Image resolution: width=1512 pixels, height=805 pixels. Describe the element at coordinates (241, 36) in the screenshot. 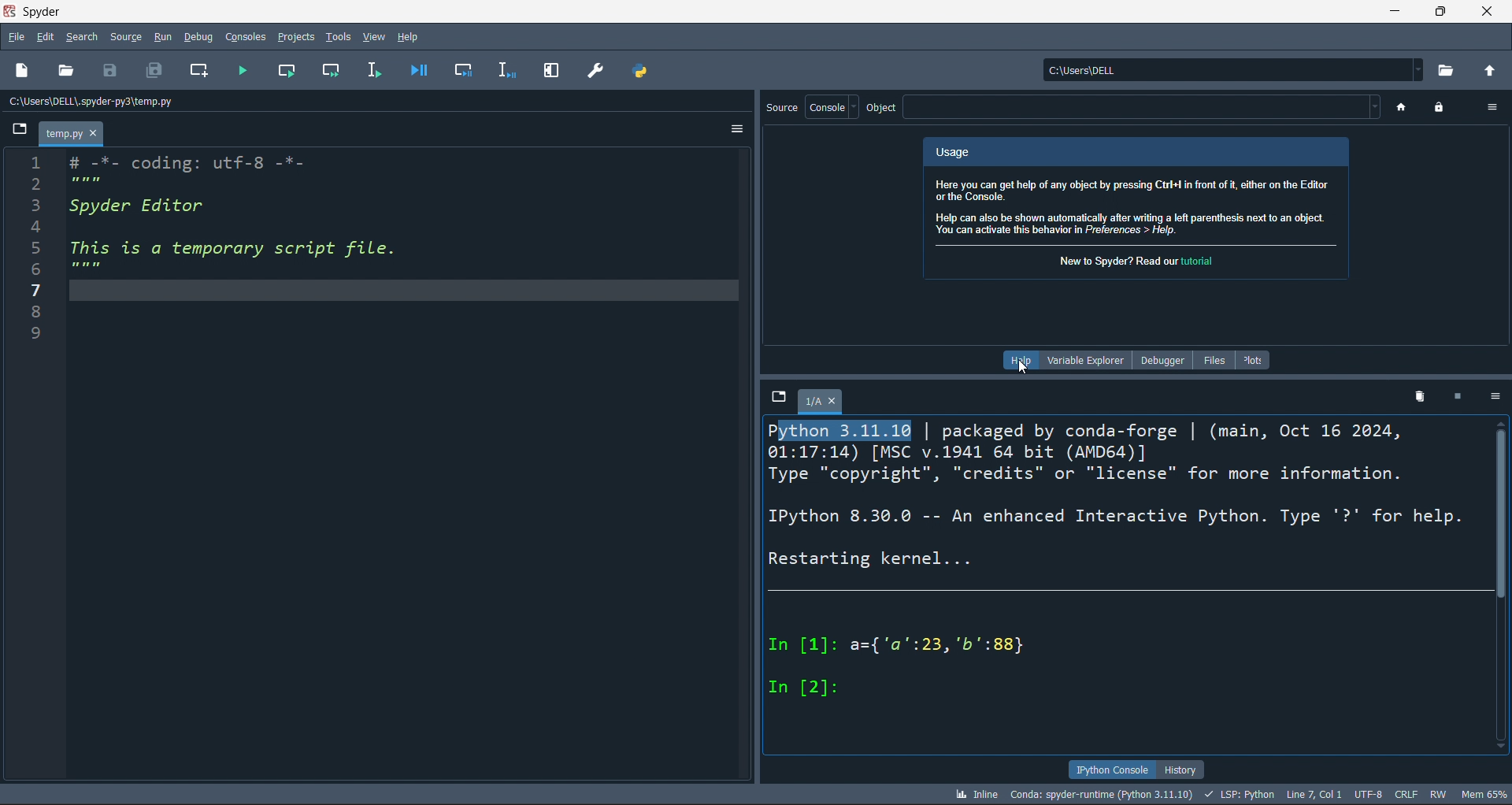

I see `console` at that location.